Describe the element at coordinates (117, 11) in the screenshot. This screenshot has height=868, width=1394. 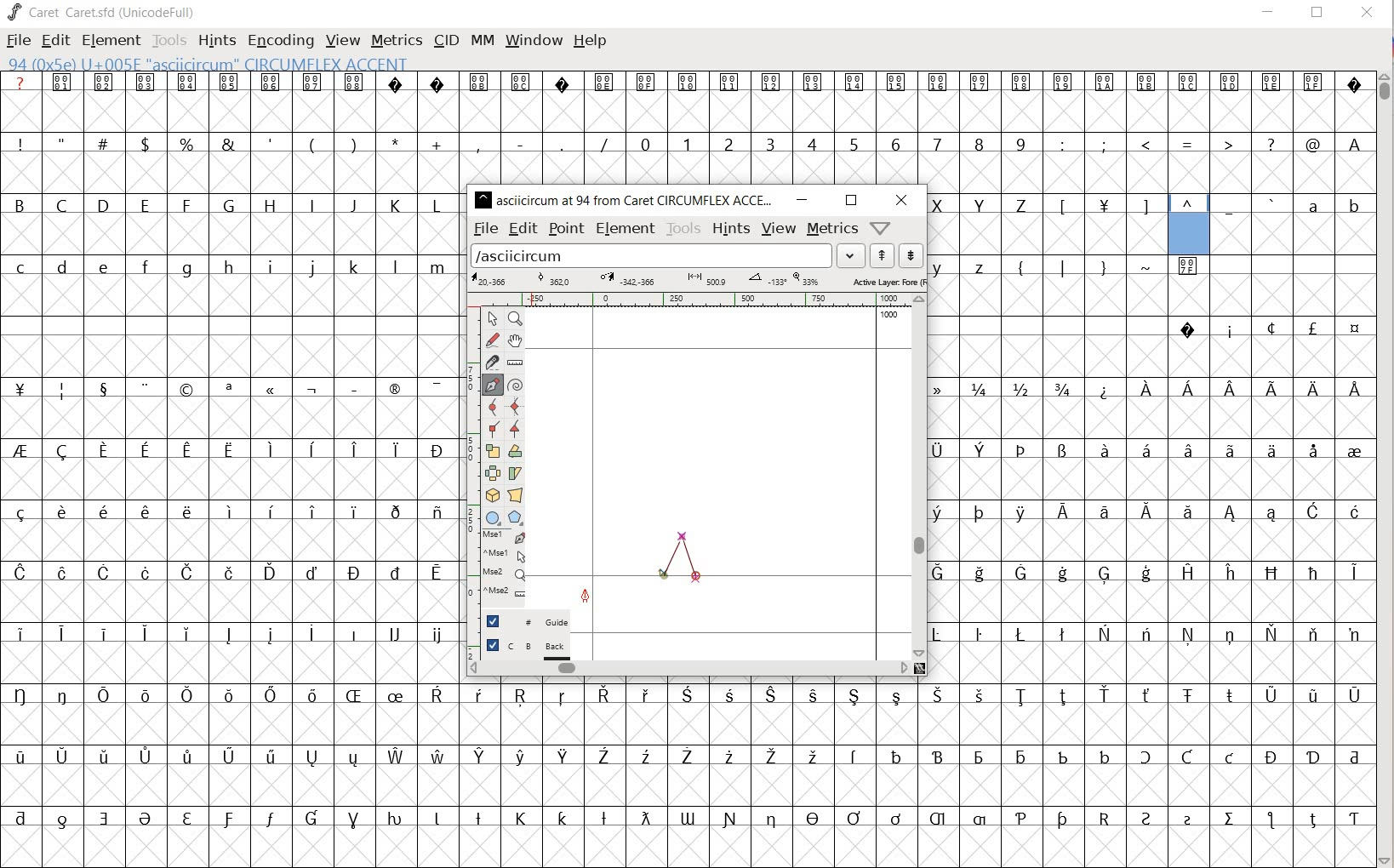
I see `caret* untitled1.sfd (unicodefull)` at that location.